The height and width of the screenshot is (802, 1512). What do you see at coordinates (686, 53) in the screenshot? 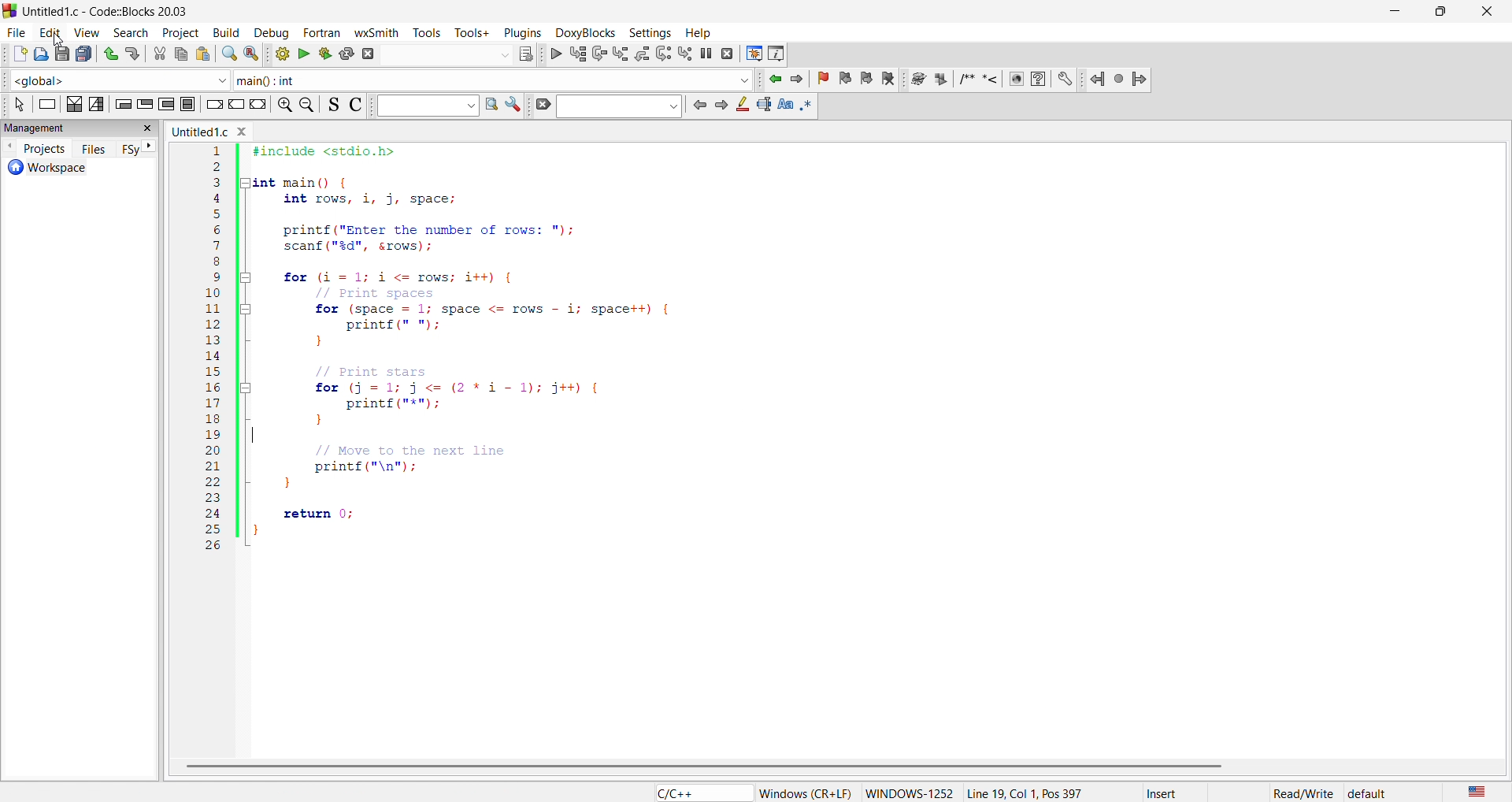
I see `step into instructions` at bounding box center [686, 53].